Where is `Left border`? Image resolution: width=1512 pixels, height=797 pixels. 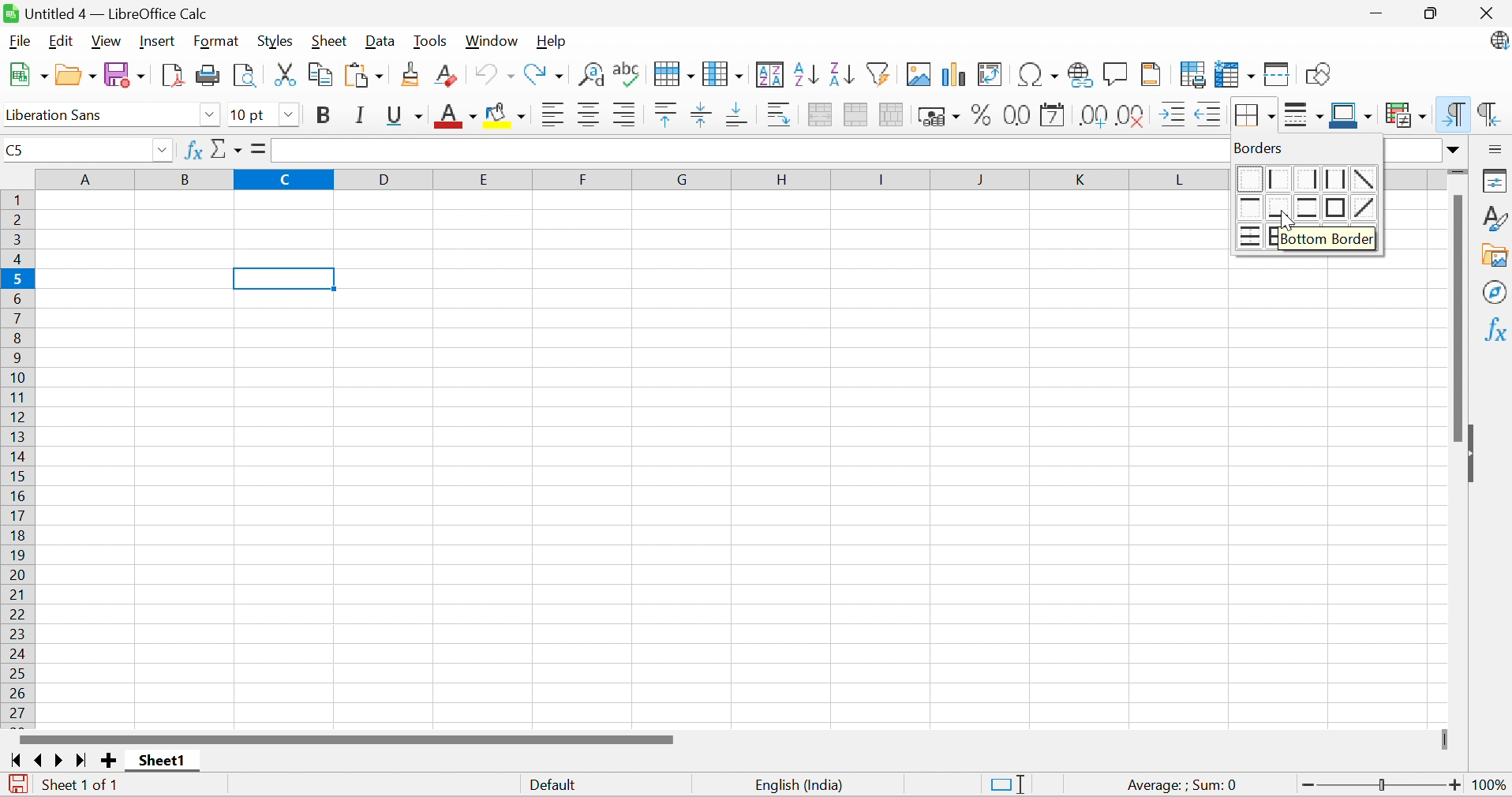
Left border is located at coordinates (1280, 181).